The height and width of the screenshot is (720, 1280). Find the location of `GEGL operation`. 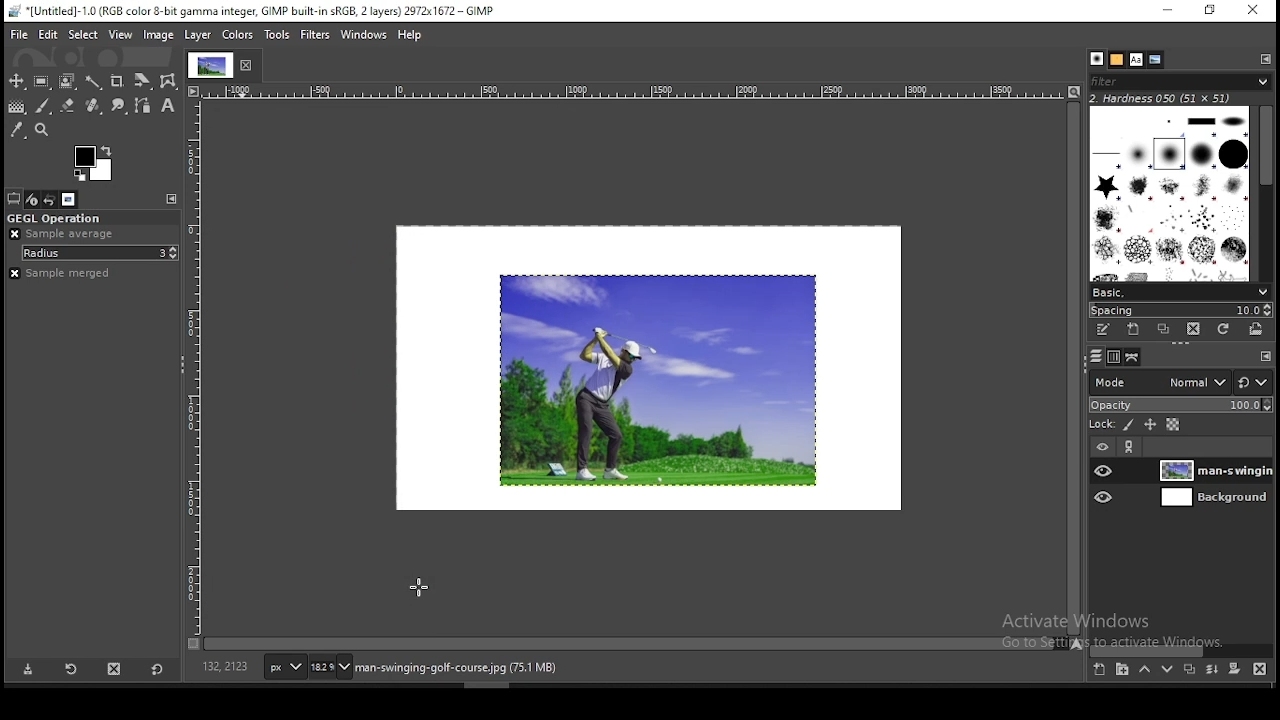

GEGL operation is located at coordinates (82, 216).